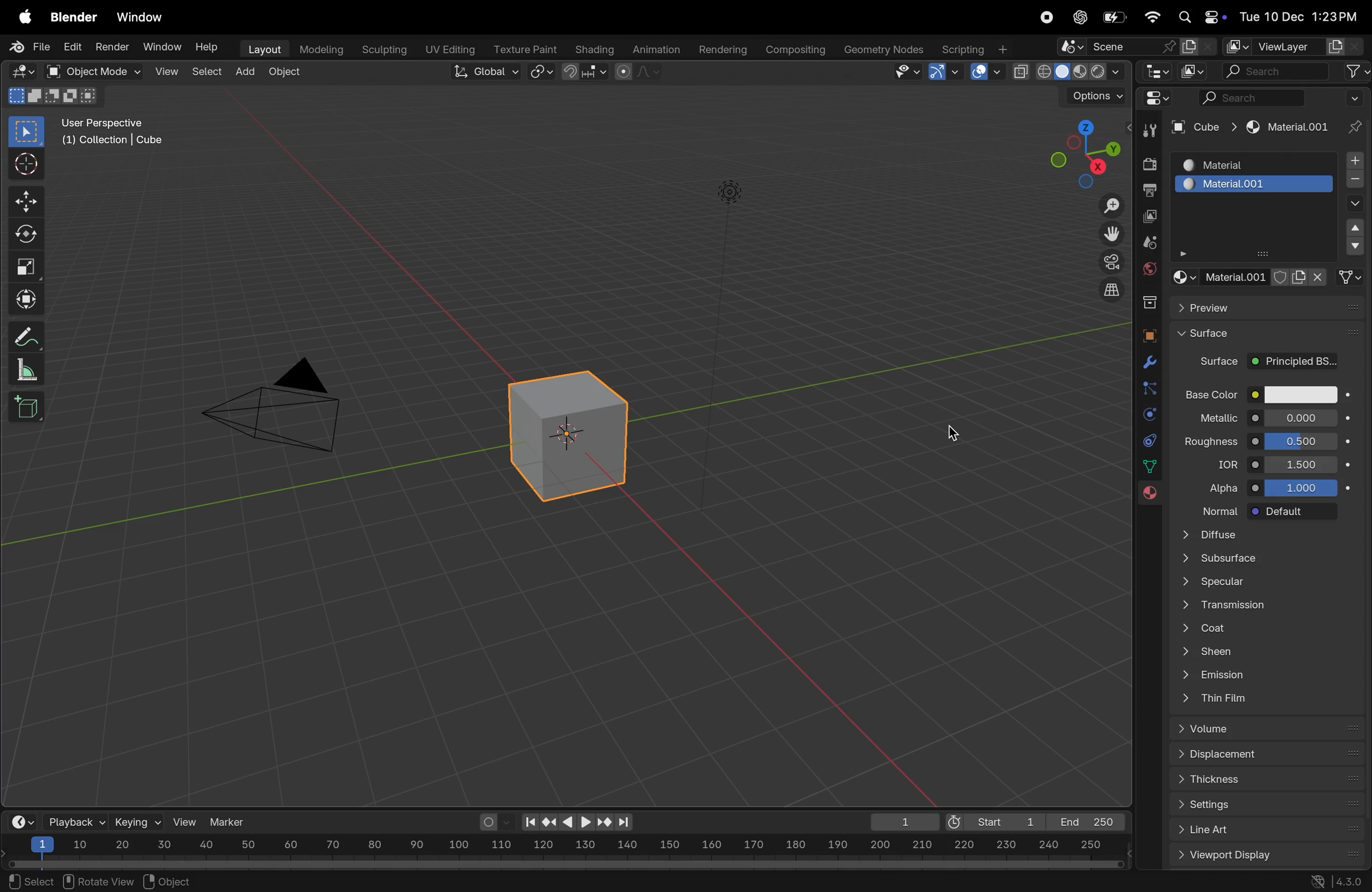 The width and height of the screenshot is (1372, 892). What do you see at coordinates (586, 72) in the screenshot?
I see `transform point` at bounding box center [586, 72].